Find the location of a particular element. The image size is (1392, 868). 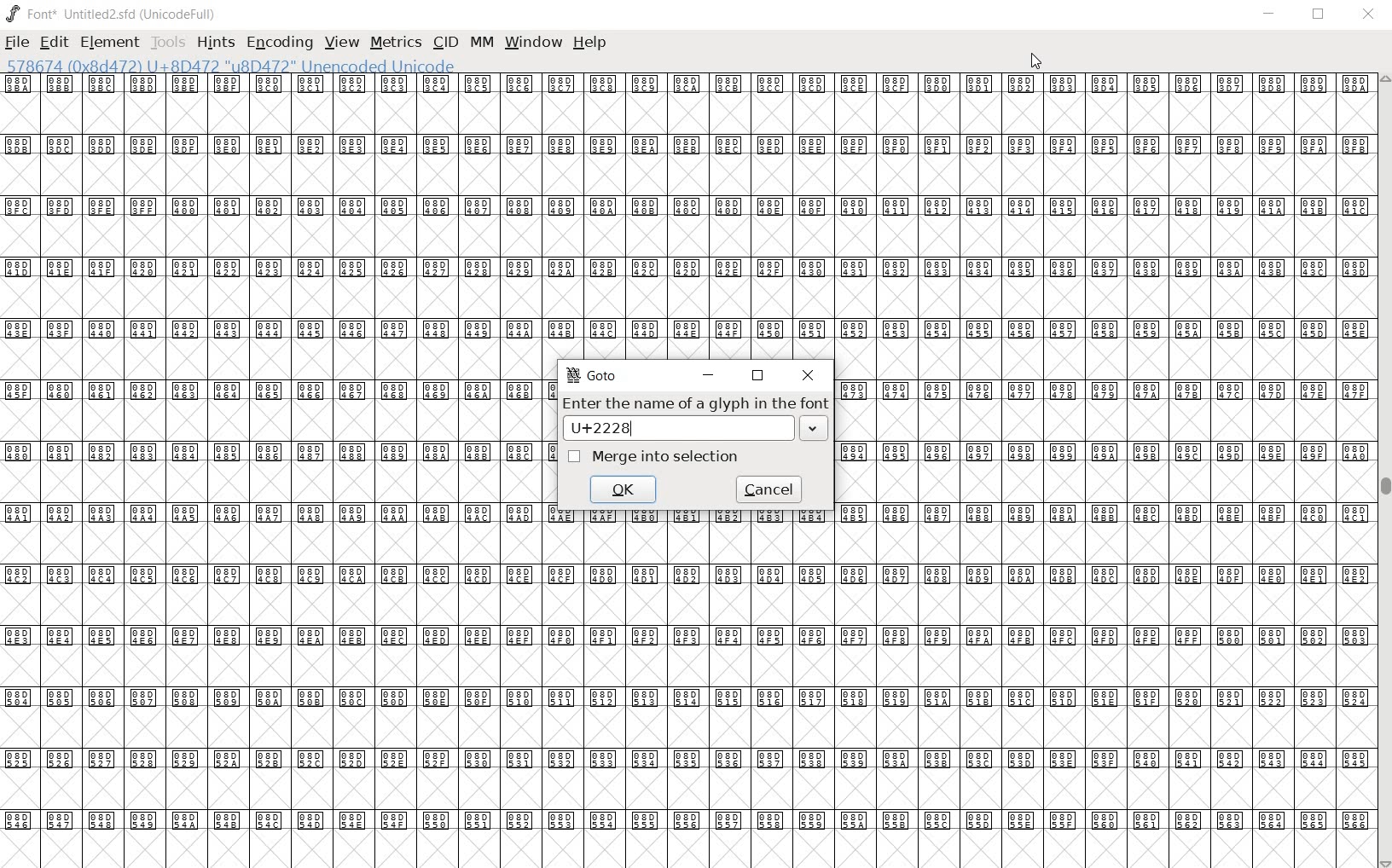

view is located at coordinates (342, 43).